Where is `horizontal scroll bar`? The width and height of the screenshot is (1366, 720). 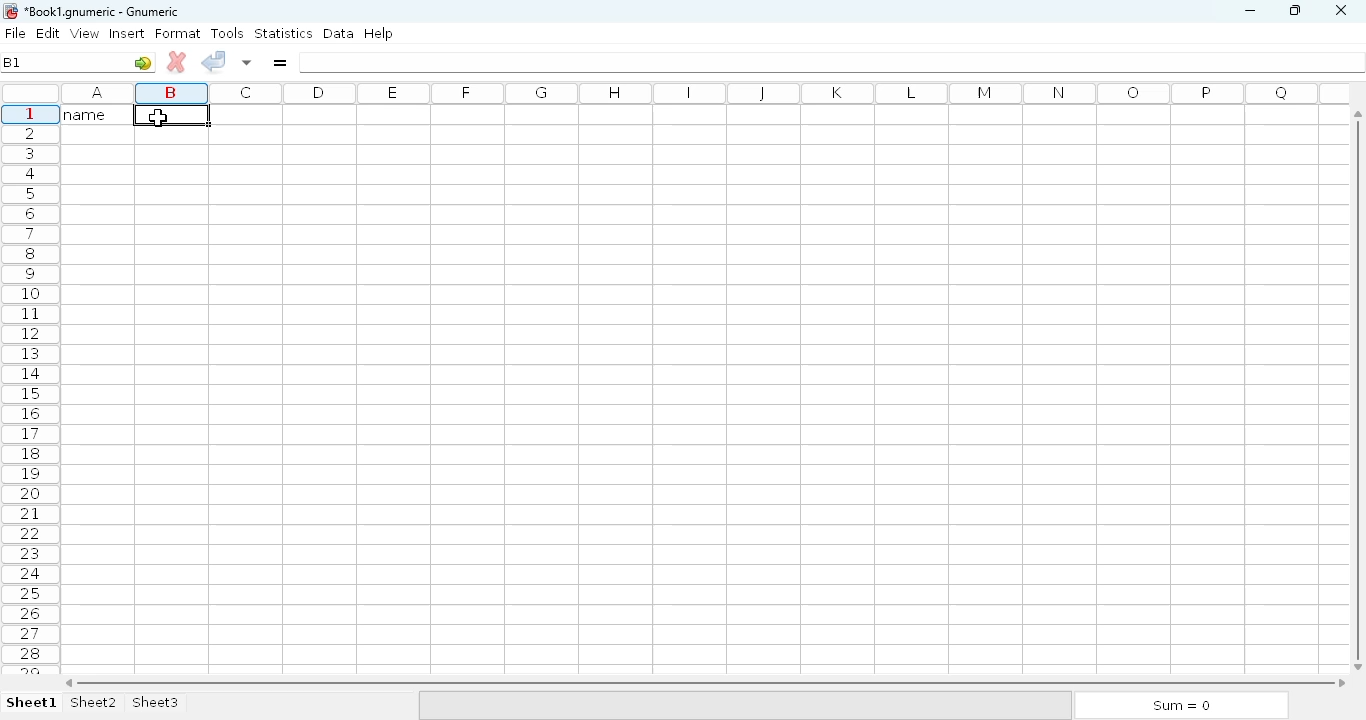
horizontal scroll bar is located at coordinates (705, 683).